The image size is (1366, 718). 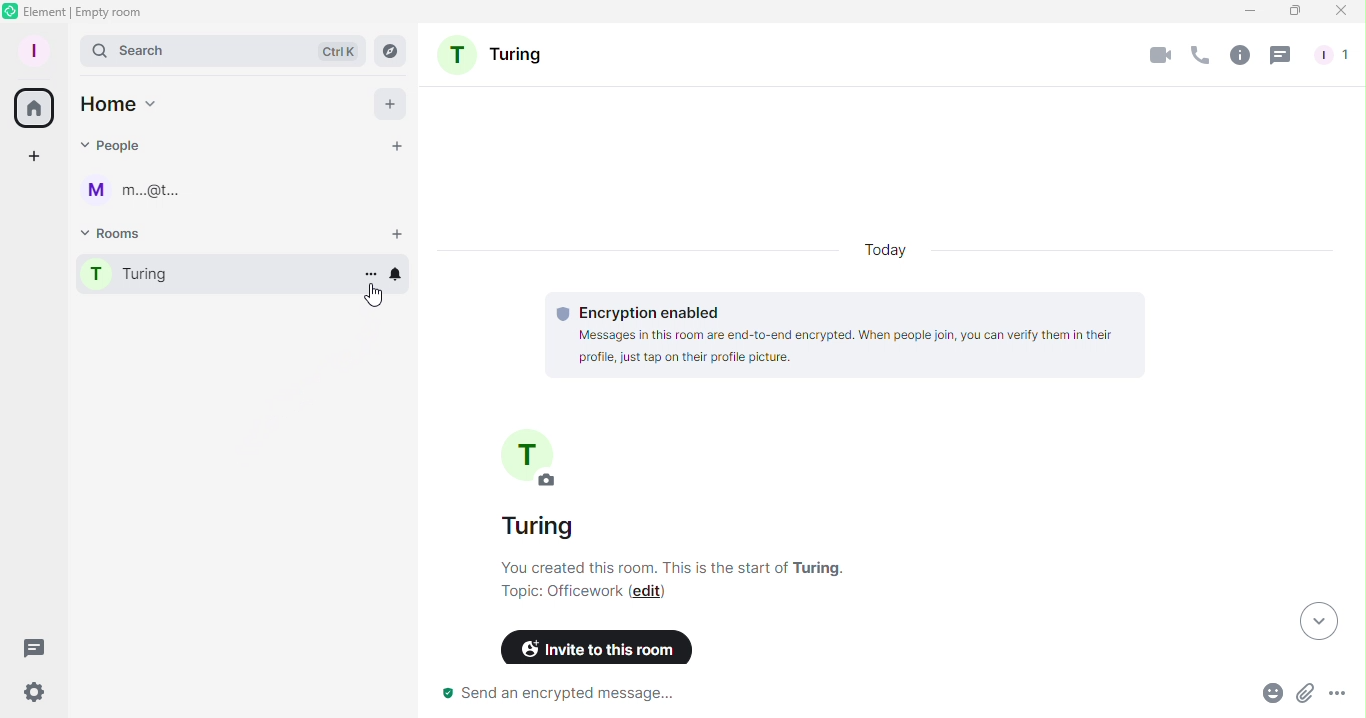 What do you see at coordinates (40, 108) in the screenshot?
I see `Home` at bounding box center [40, 108].